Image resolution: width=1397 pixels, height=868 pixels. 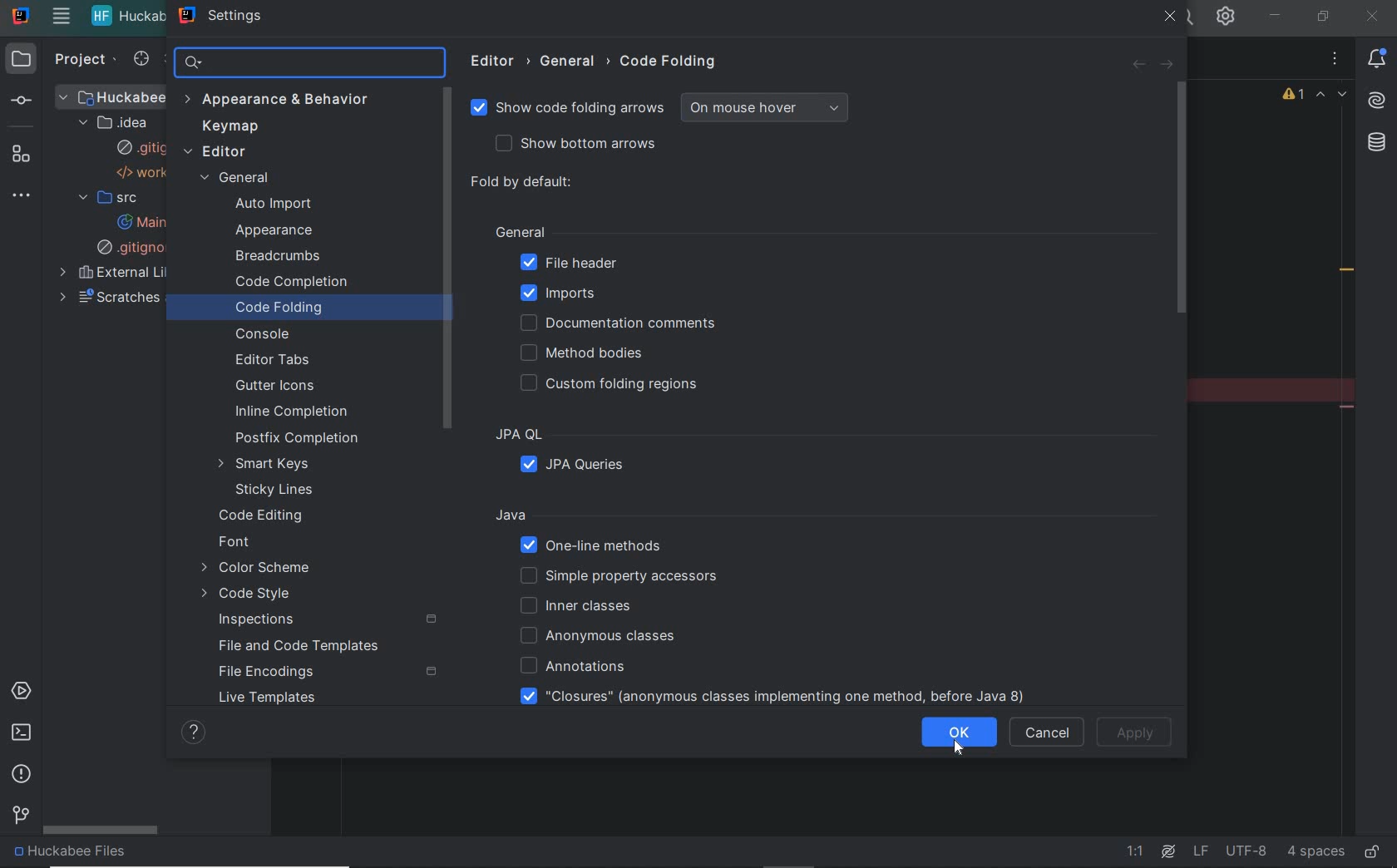 What do you see at coordinates (1138, 852) in the screenshot?
I see `go to line` at bounding box center [1138, 852].